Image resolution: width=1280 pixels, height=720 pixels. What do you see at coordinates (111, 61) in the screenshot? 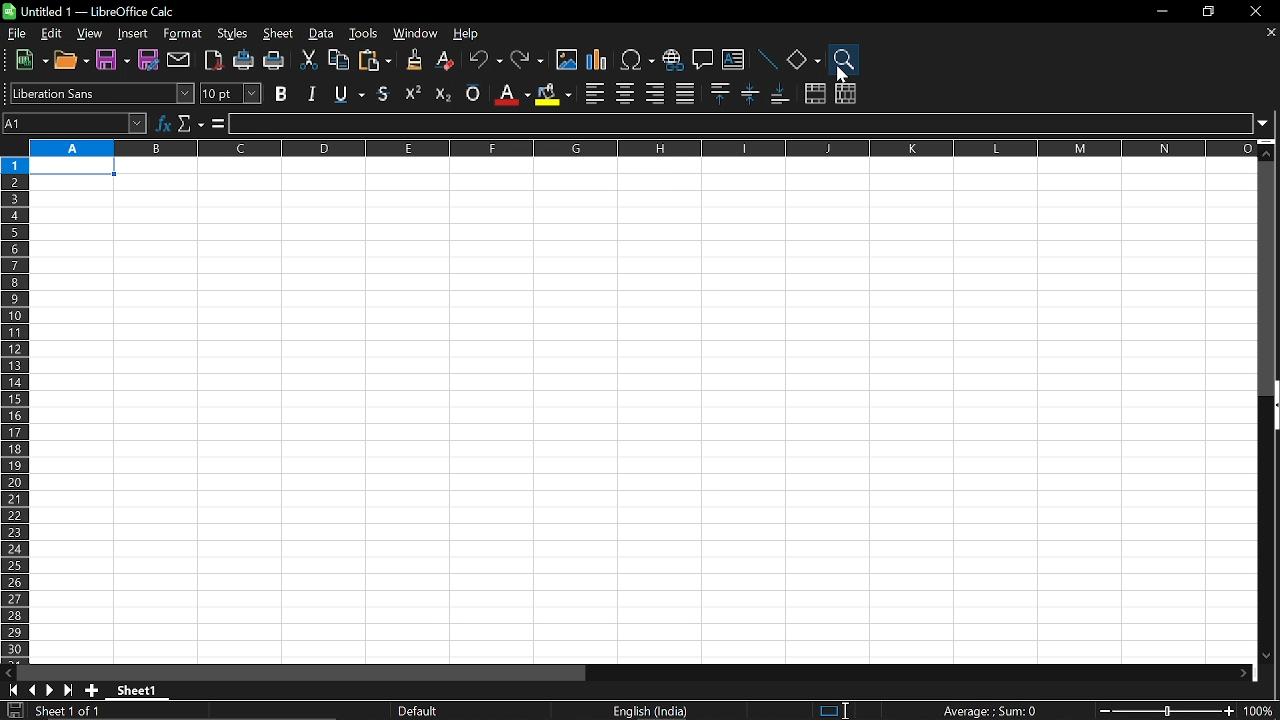
I see `Save` at bounding box center [111, 61].